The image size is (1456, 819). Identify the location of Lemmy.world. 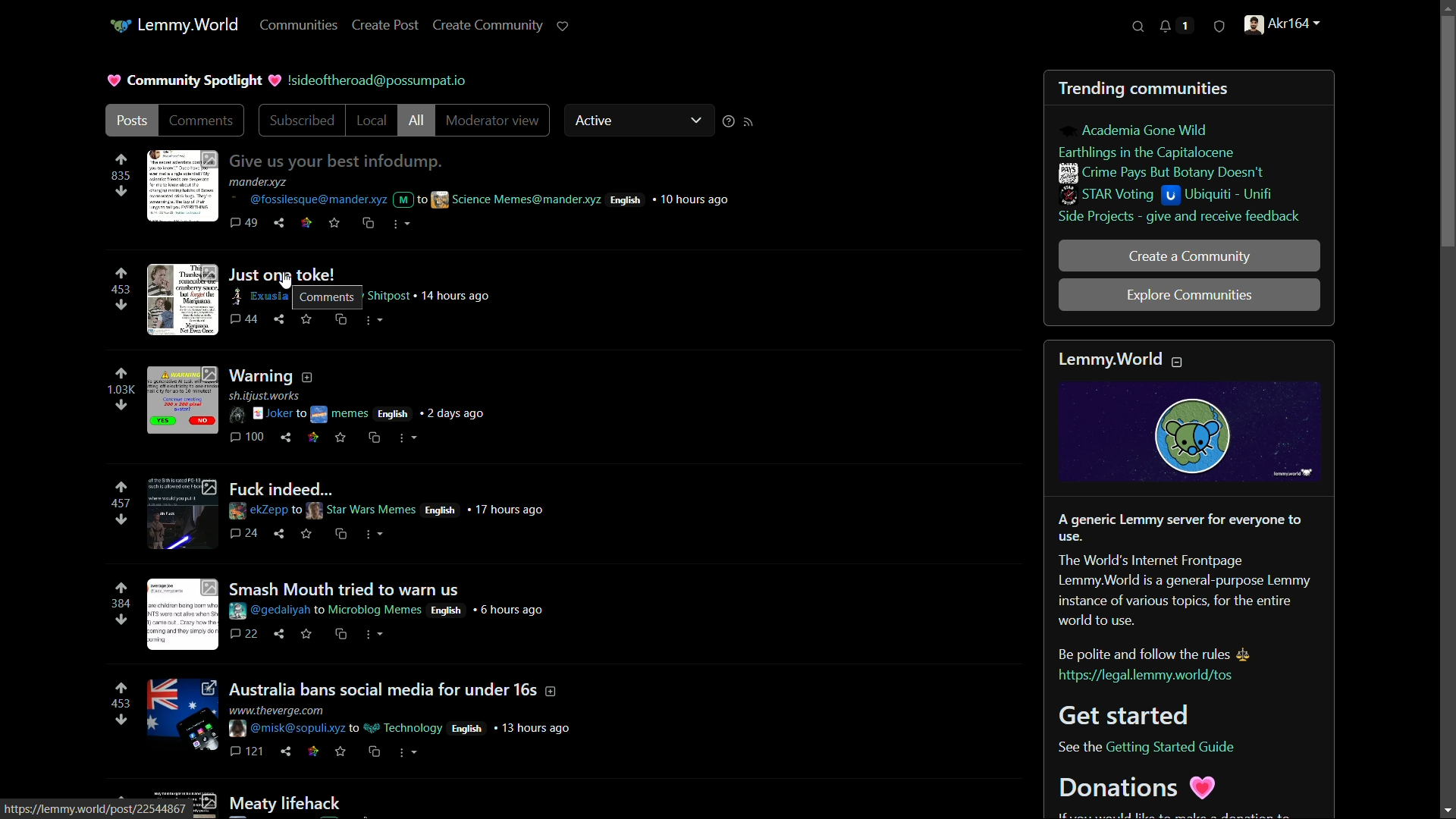
(1111, 359).